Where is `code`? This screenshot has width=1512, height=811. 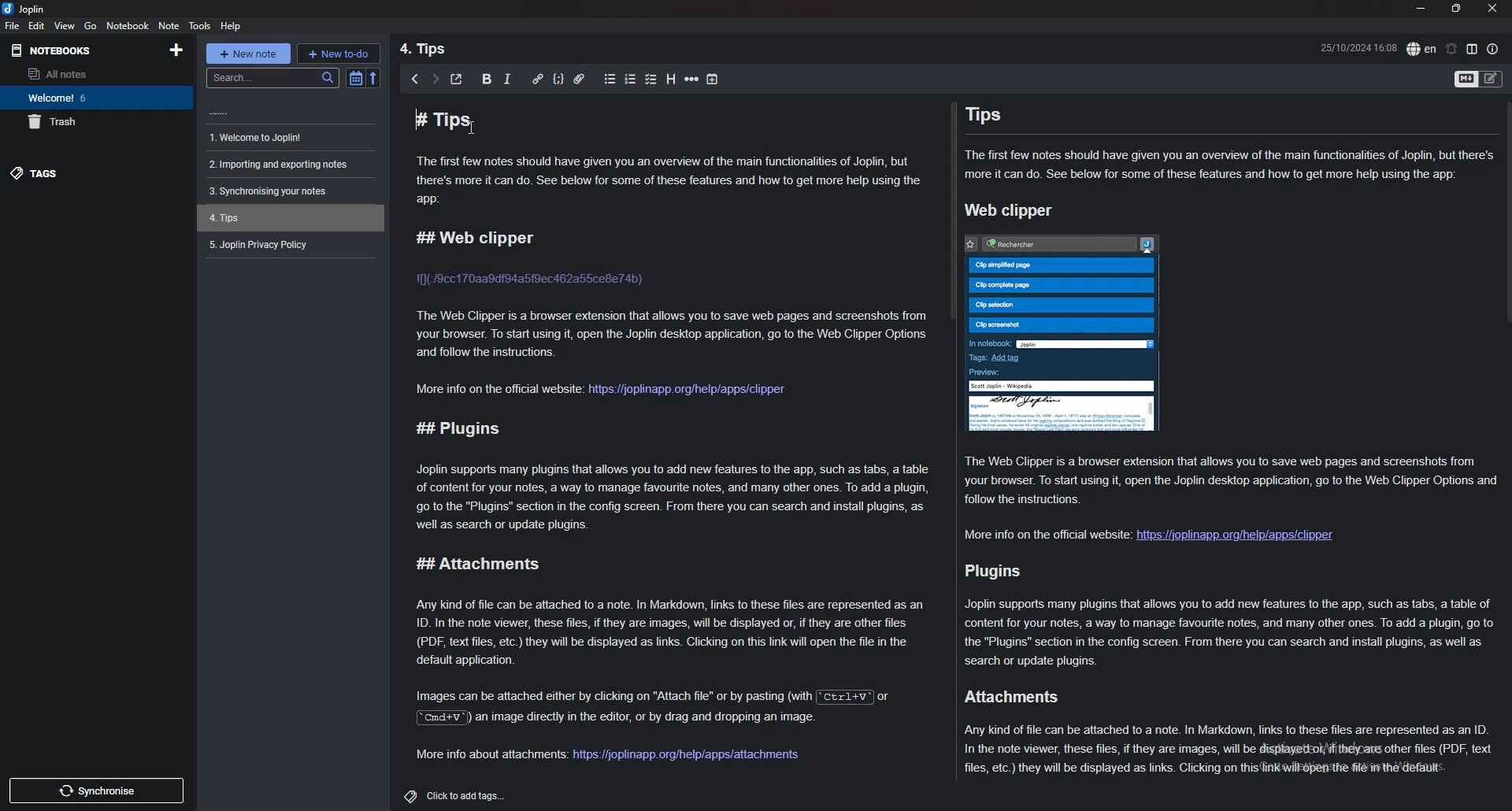
code is located at coordinates (560, 80).